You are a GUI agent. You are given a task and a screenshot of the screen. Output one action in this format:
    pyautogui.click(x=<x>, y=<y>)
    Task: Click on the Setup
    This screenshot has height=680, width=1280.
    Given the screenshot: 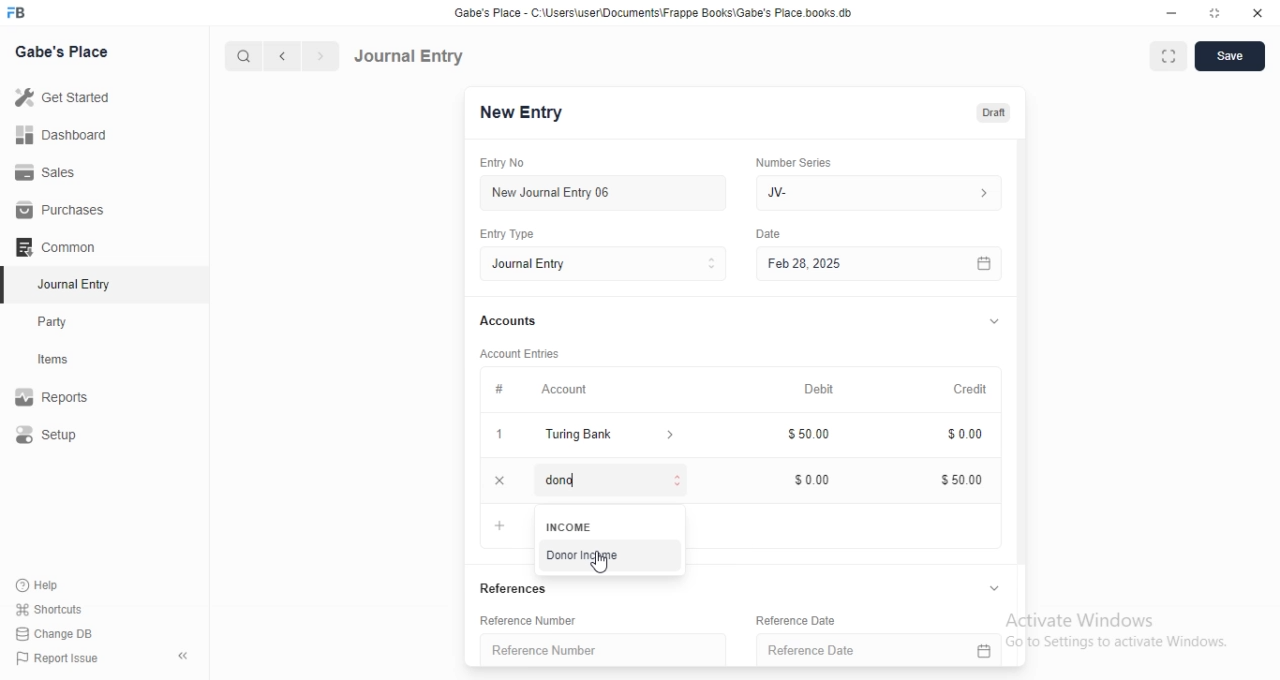 What is the action you would take?
    pyautogui.click(x=66, y=436)
    